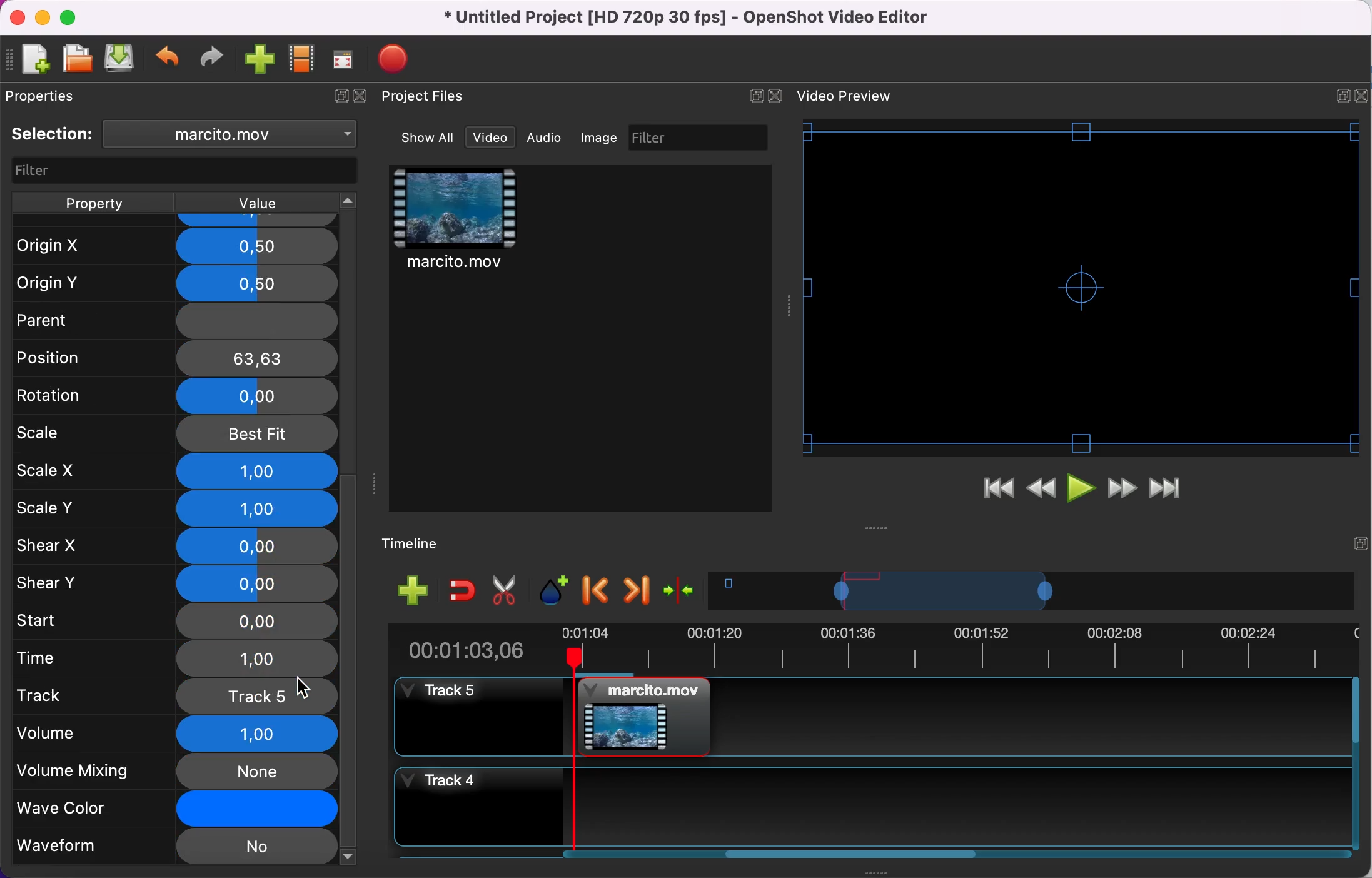 The width and height of the screenshot is (1372, 878). What do you see at coordinates (173, 317) in the screenshot?
I see `Parent` at bounding box center [173, 317].